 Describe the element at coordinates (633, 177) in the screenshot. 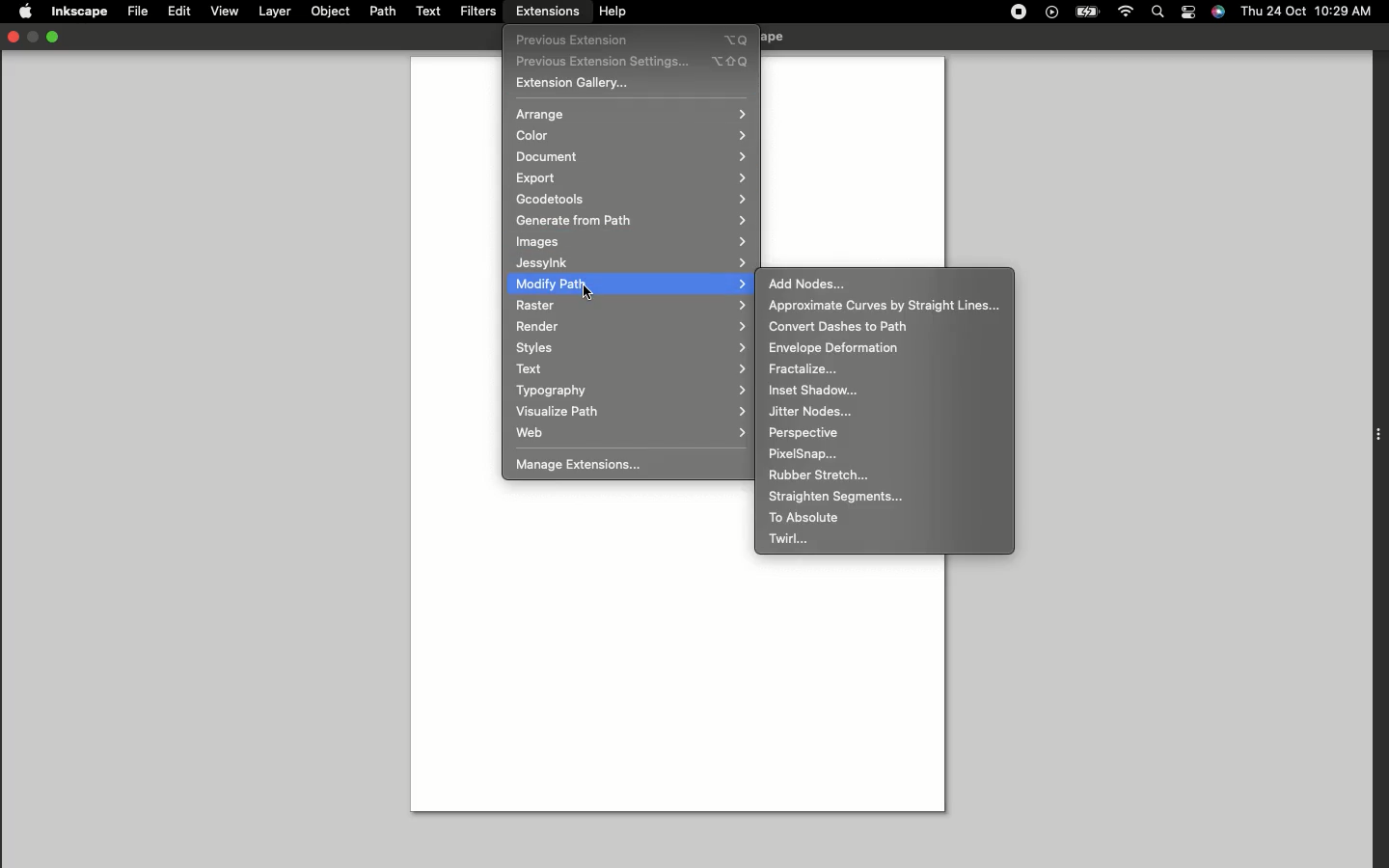

I see `Export` at that location.